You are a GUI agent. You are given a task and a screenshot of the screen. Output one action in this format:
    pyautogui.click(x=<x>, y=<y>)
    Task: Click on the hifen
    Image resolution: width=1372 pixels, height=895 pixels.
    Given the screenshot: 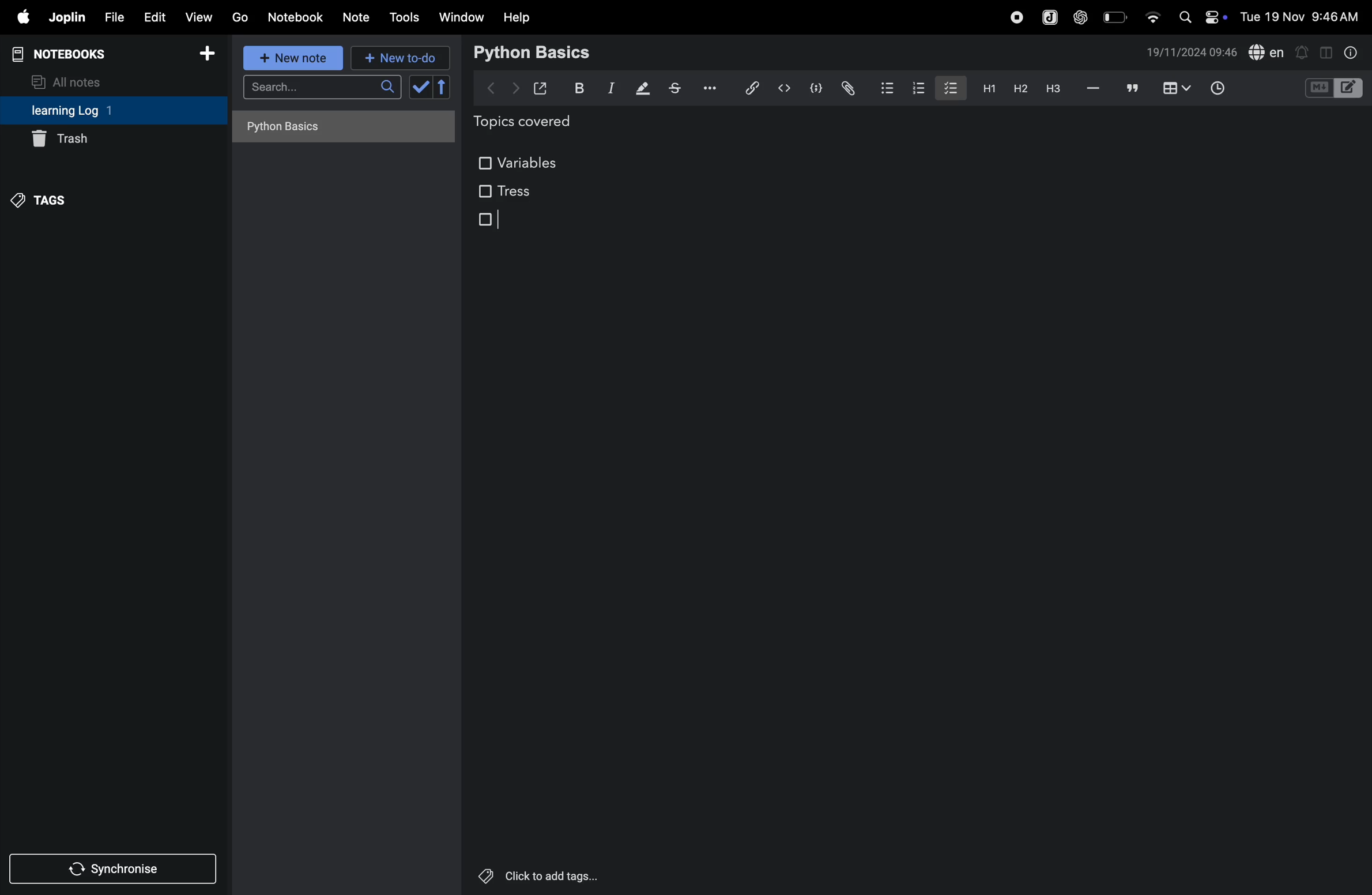 What is the action you would take?
    pyautogui.click(x=1094, y=89)
    